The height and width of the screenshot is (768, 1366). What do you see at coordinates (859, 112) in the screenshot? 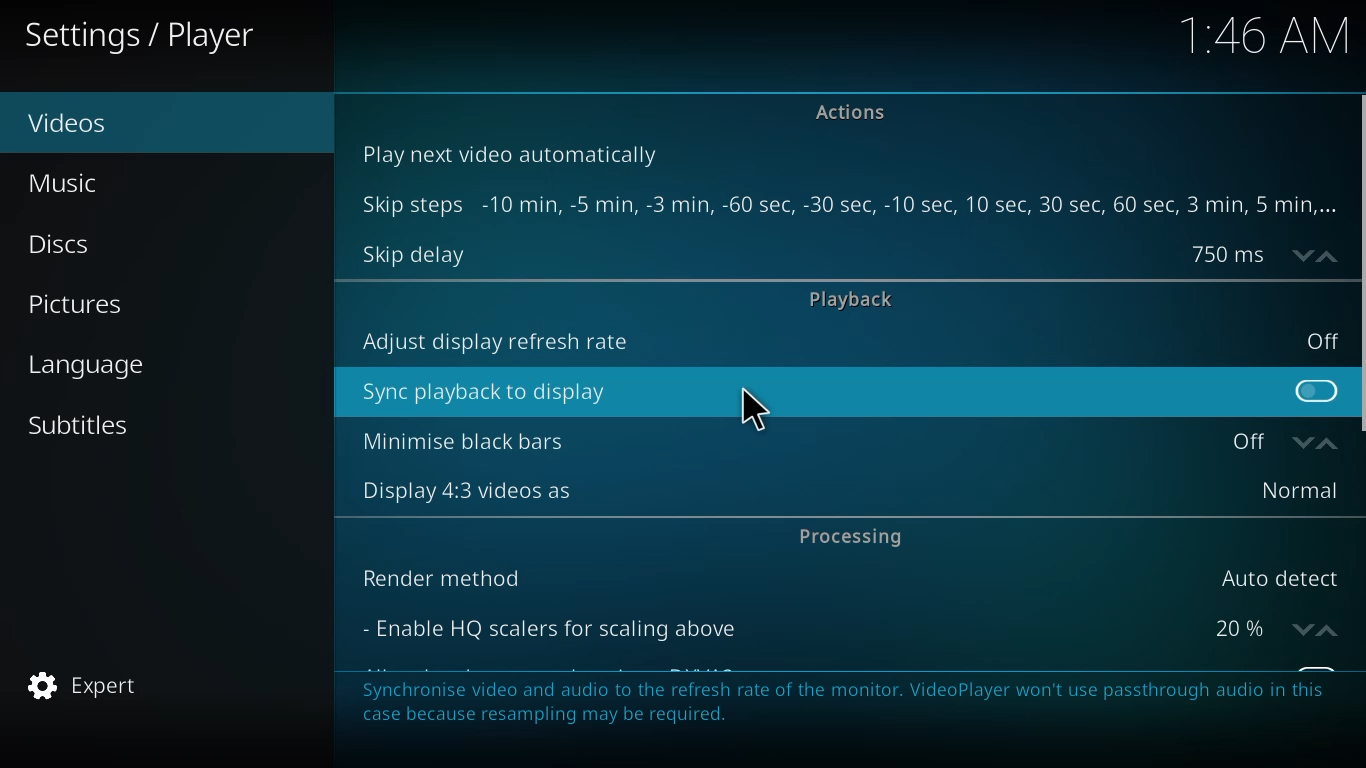
I see `actions` at bounding box center [859, 112].